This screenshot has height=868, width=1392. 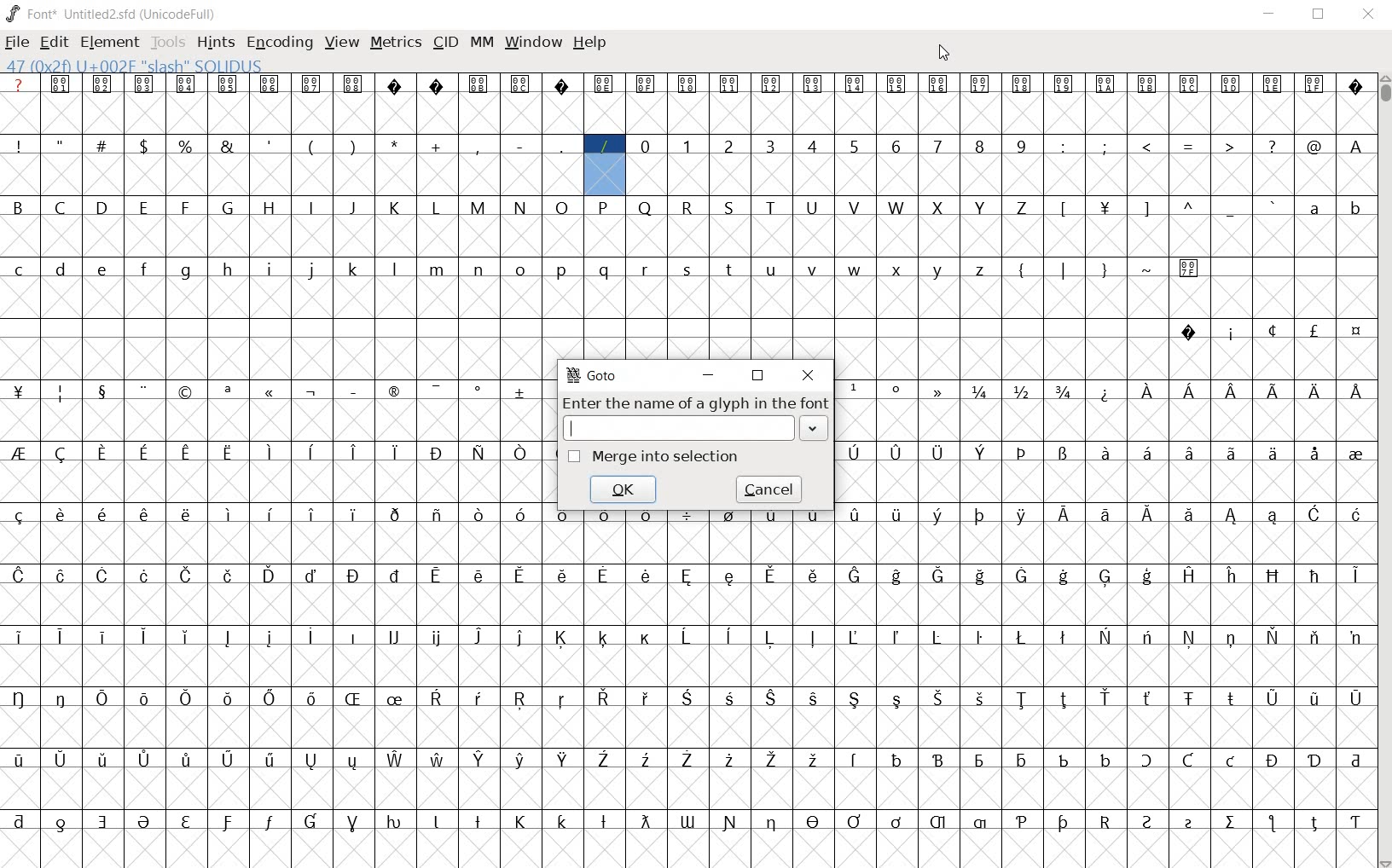 What do you see at coordinates (687, 759) in the screenshot?
I see `glyph` at bounding box center [687, 759].